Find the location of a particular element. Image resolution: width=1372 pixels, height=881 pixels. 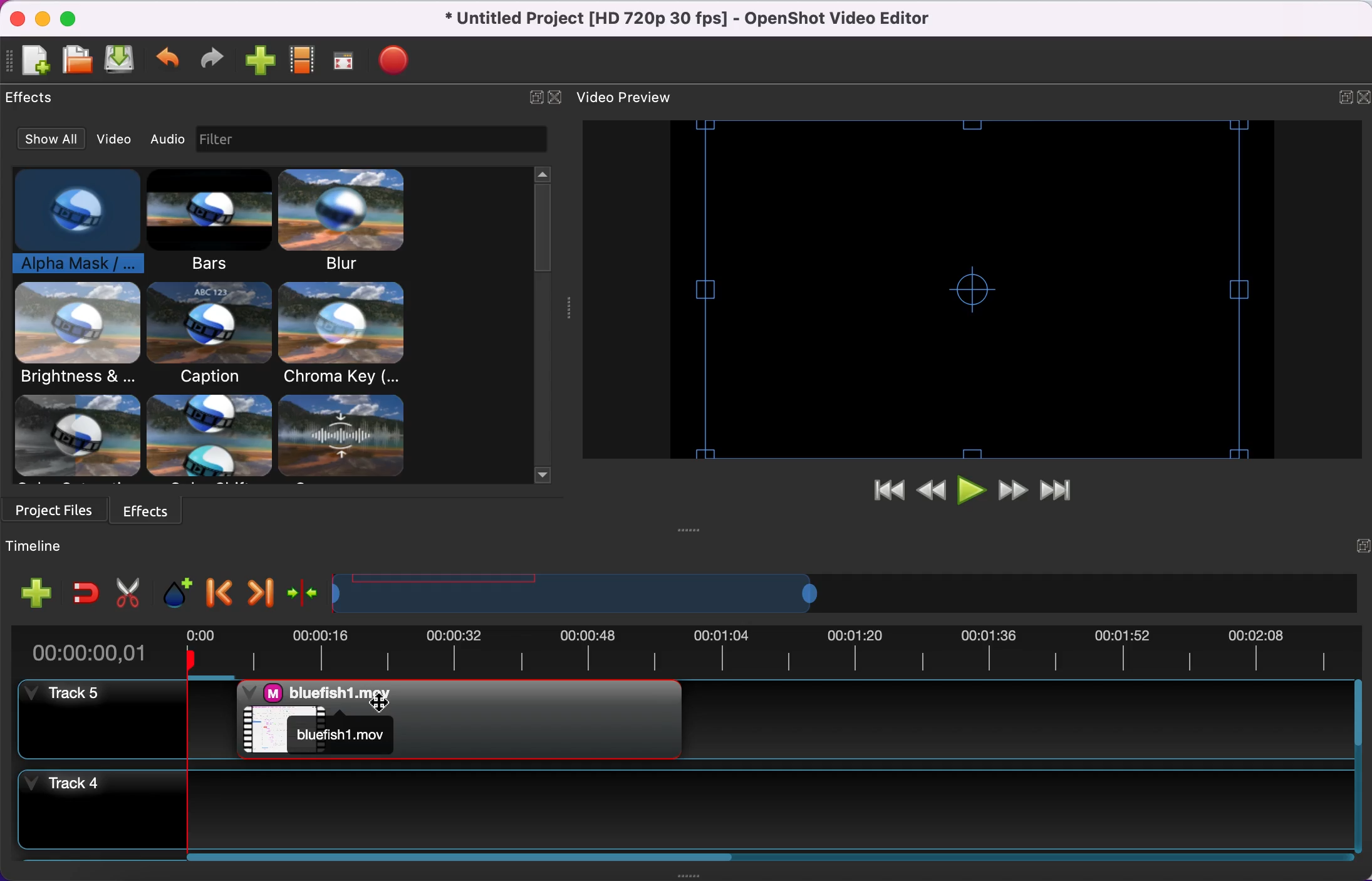

timeline is located at coordinates (824, 594).